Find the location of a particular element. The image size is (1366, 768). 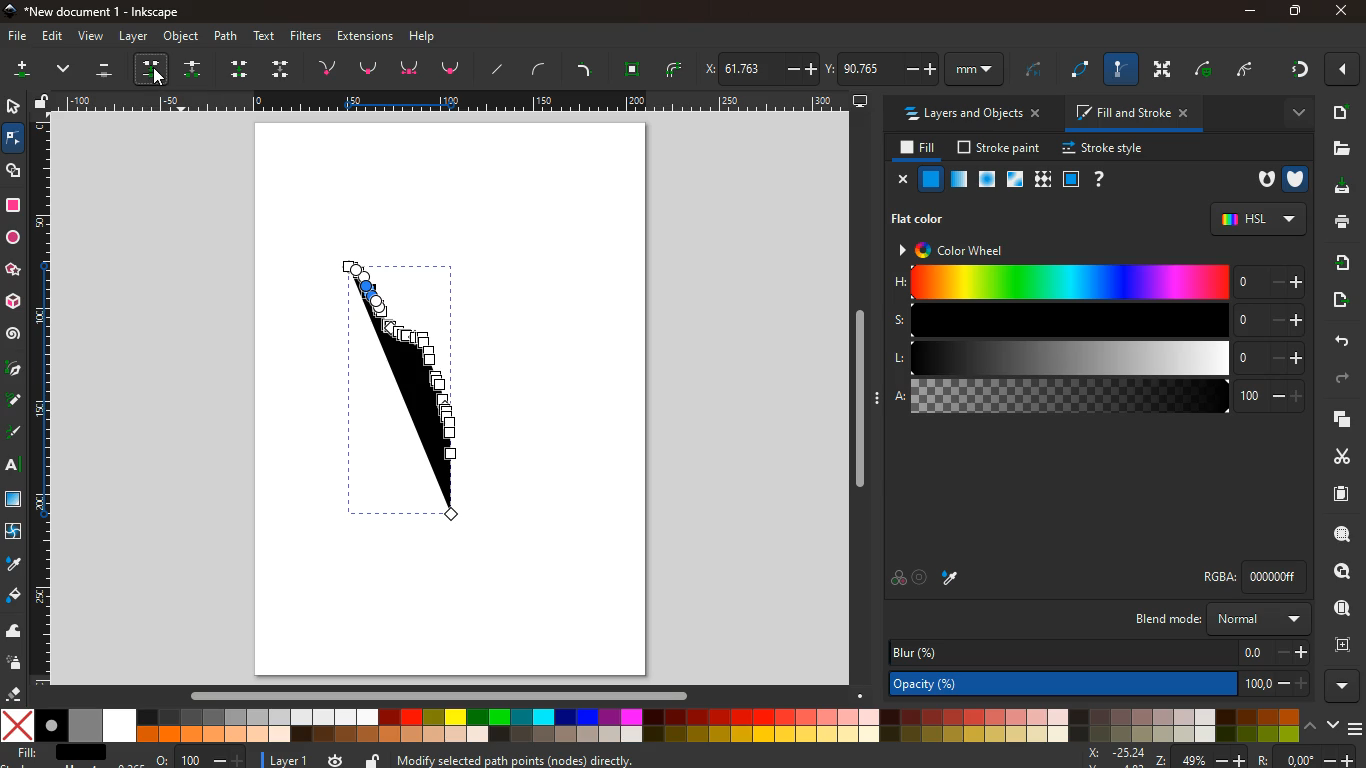

drop is located at coordinates (954, 580).